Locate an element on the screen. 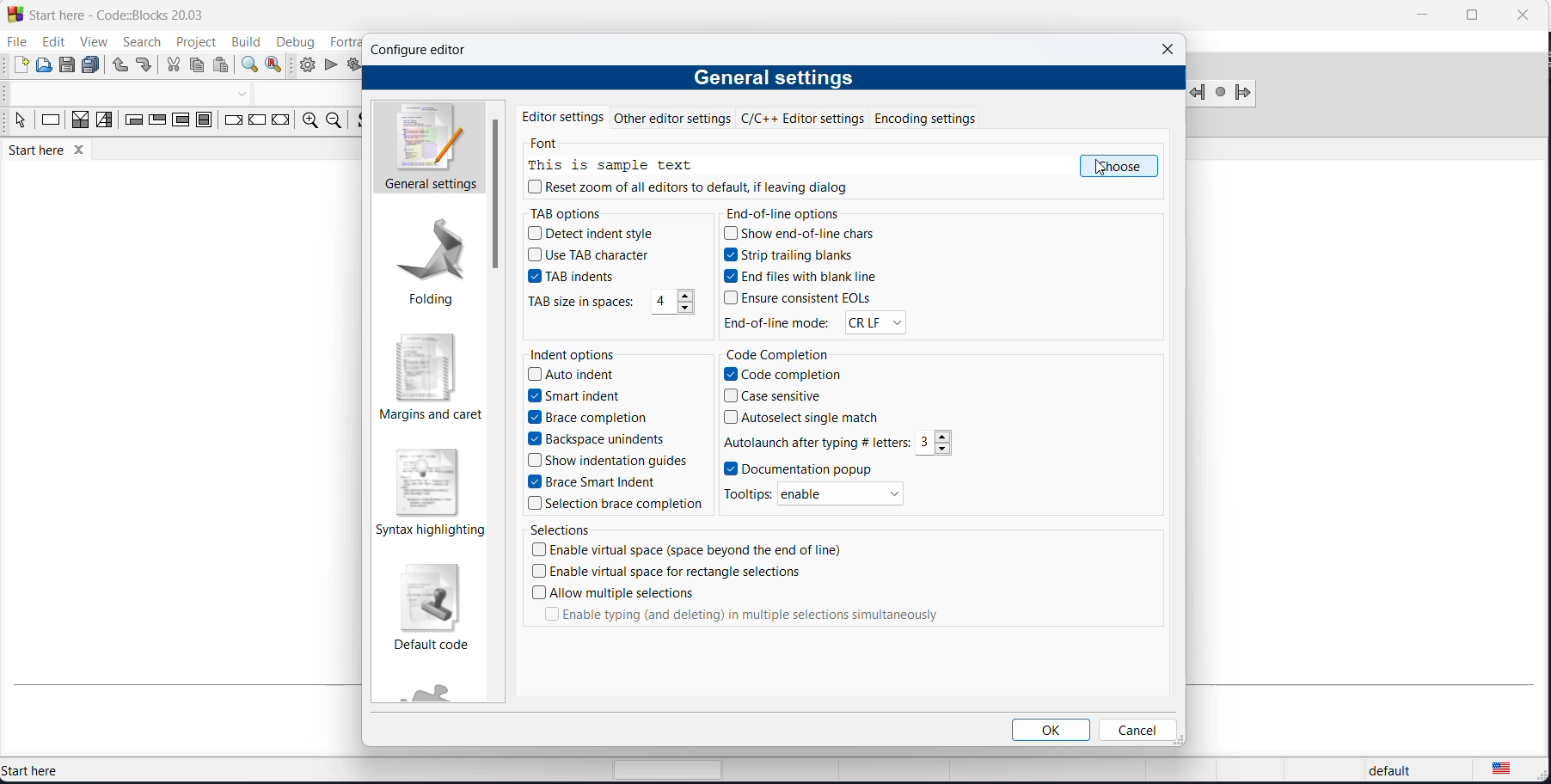 The image size is (1551, 784). search is located at coordinates (135, 42).